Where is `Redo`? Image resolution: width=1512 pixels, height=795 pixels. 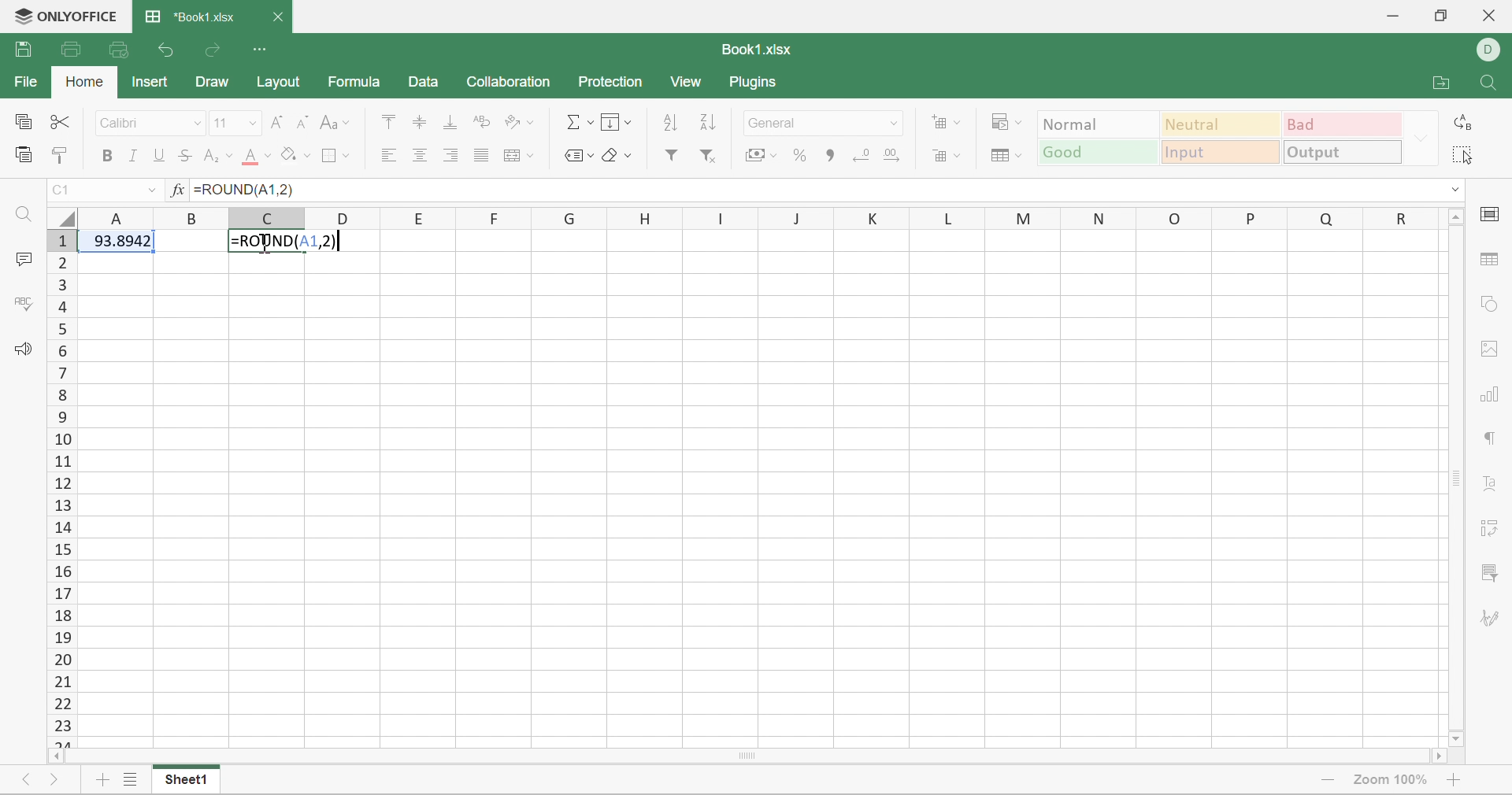 Redo is located at coordinates (215, 49).